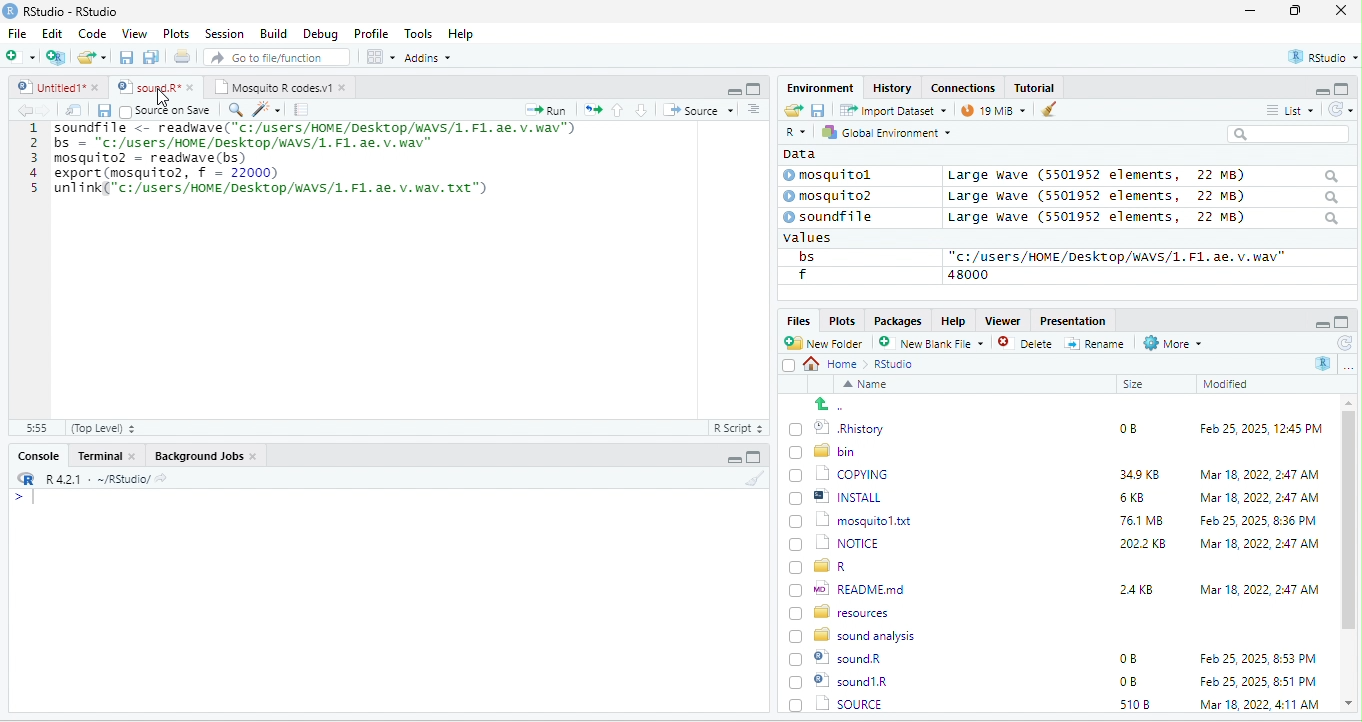  What do you see at coordinates (1260, 474) in the screenshot?
I see `Mar 18, 2022, 247 AM` at bounding box center [1260, 474].